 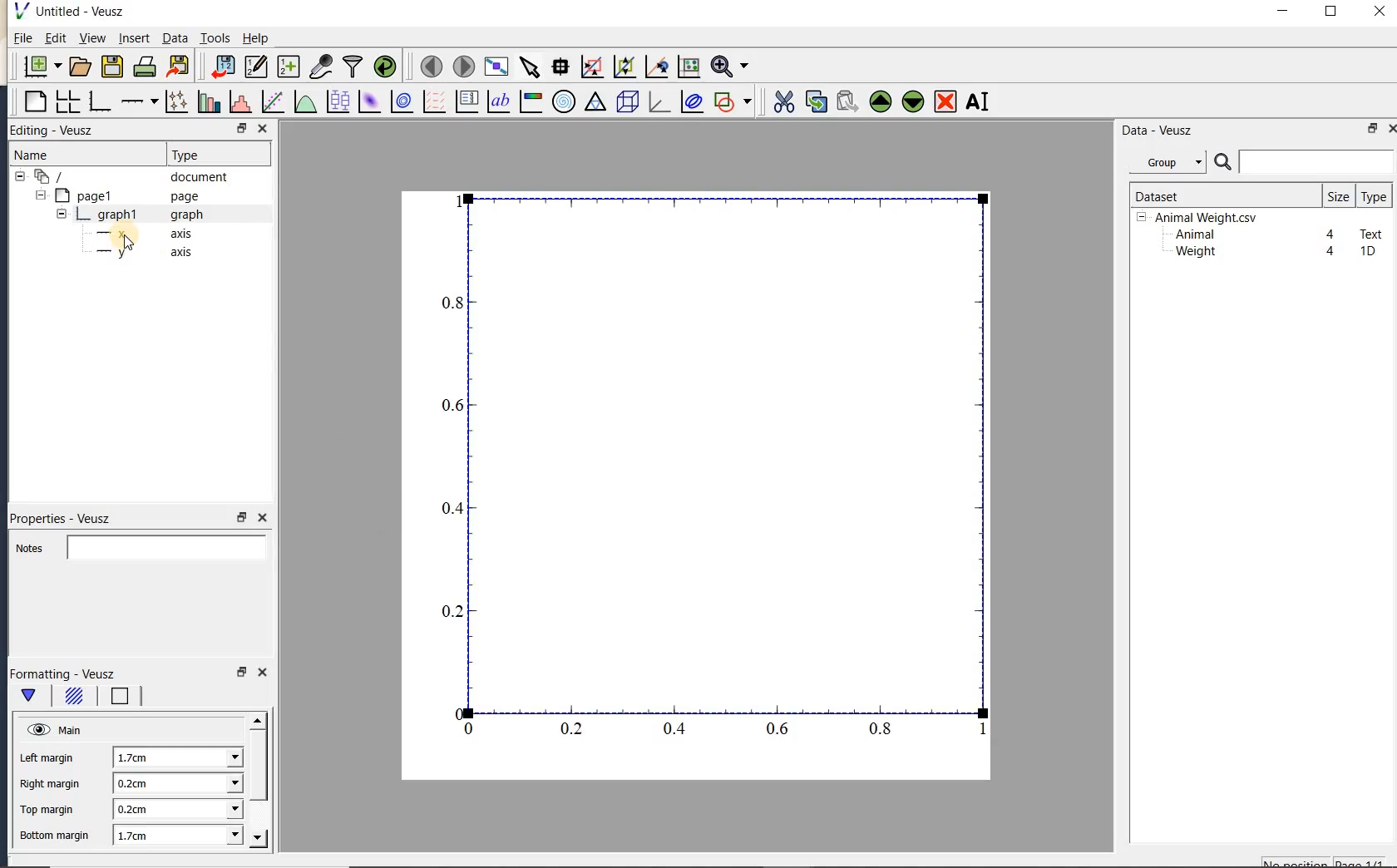 What do you see at coordinates (91, 40) in the screenshot?
I see `view` at bounding box center [91, 40].